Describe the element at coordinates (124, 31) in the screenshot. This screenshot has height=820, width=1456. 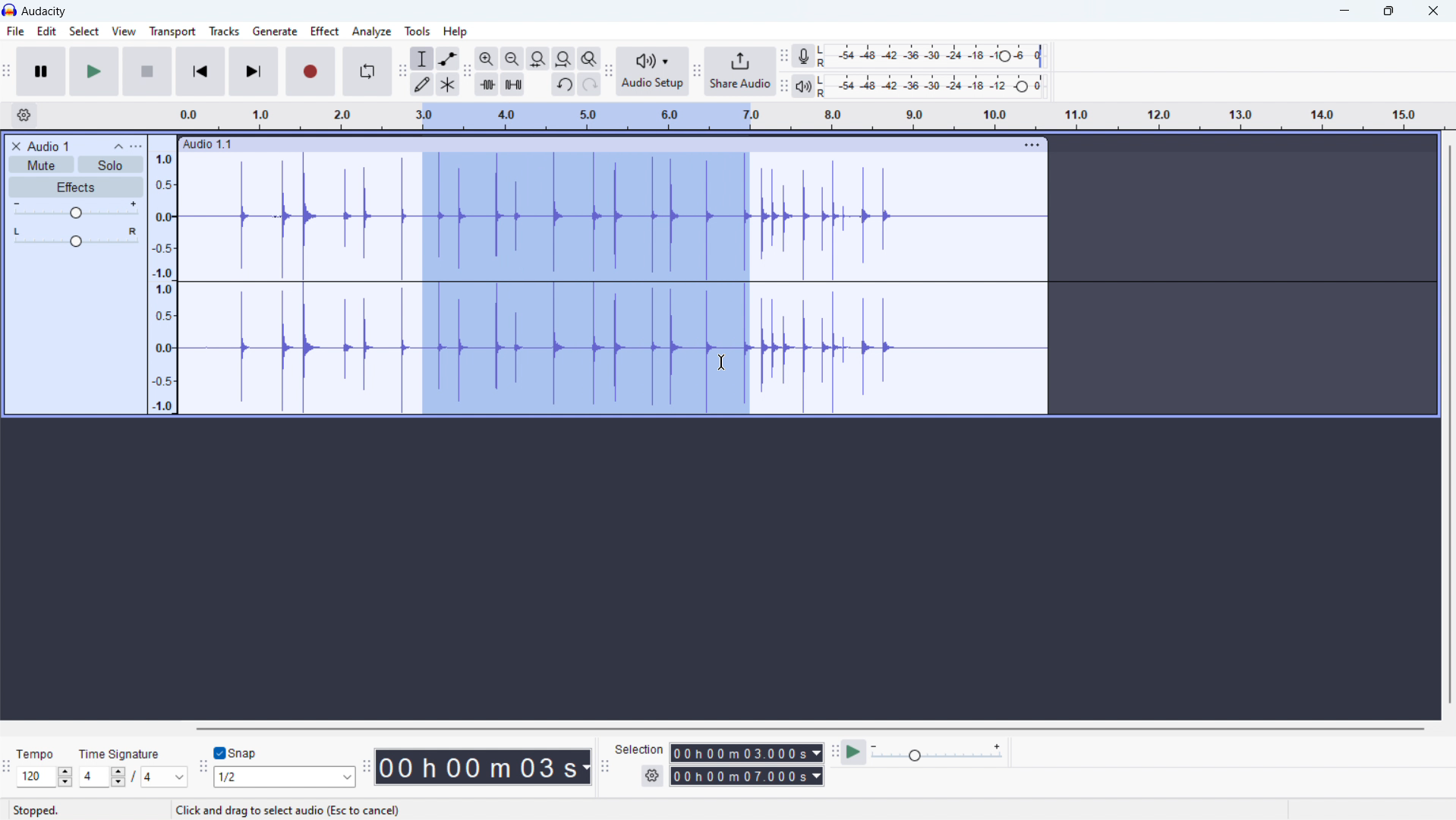
I see `view` at that location.